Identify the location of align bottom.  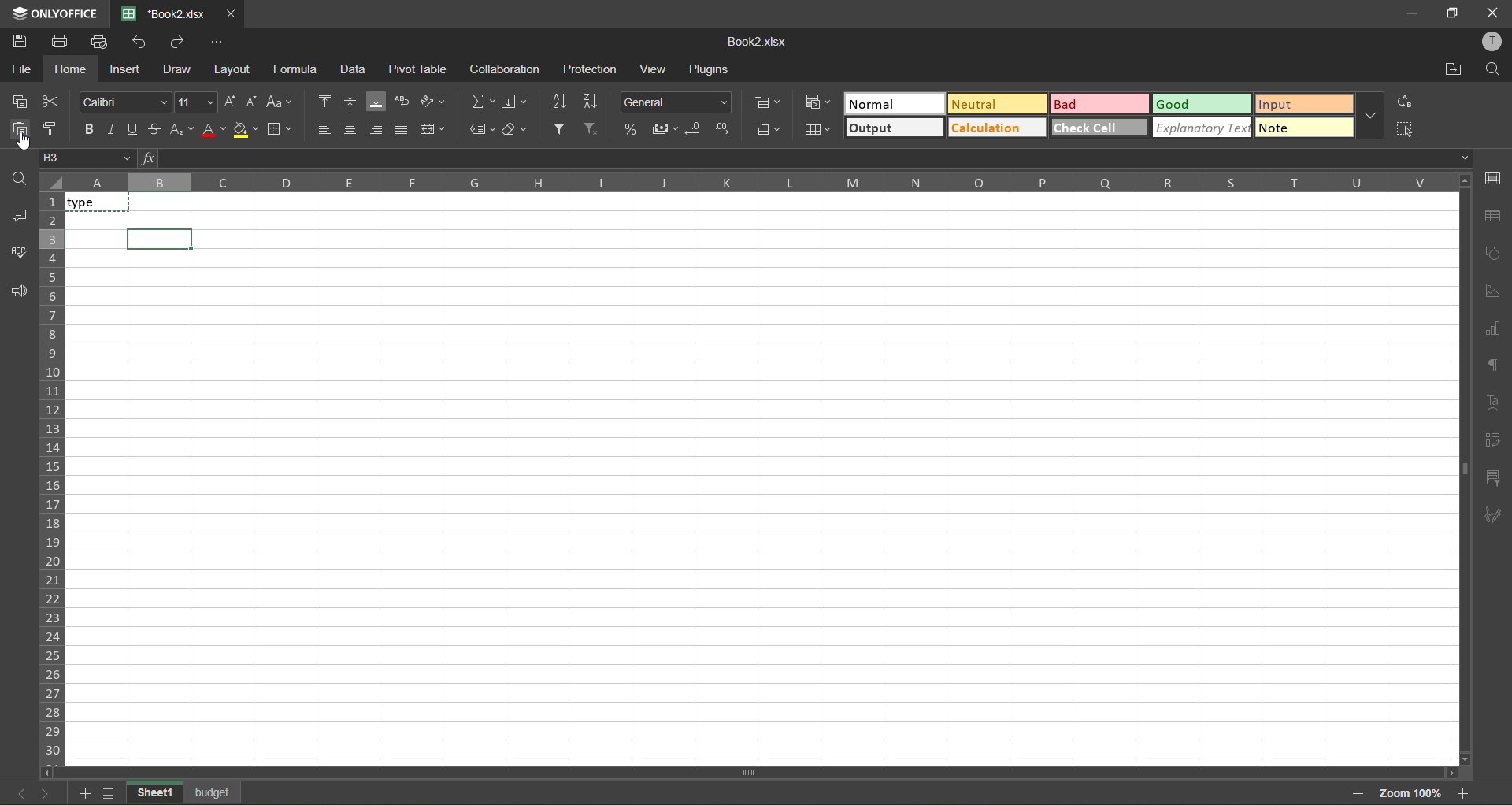
(377, 129).